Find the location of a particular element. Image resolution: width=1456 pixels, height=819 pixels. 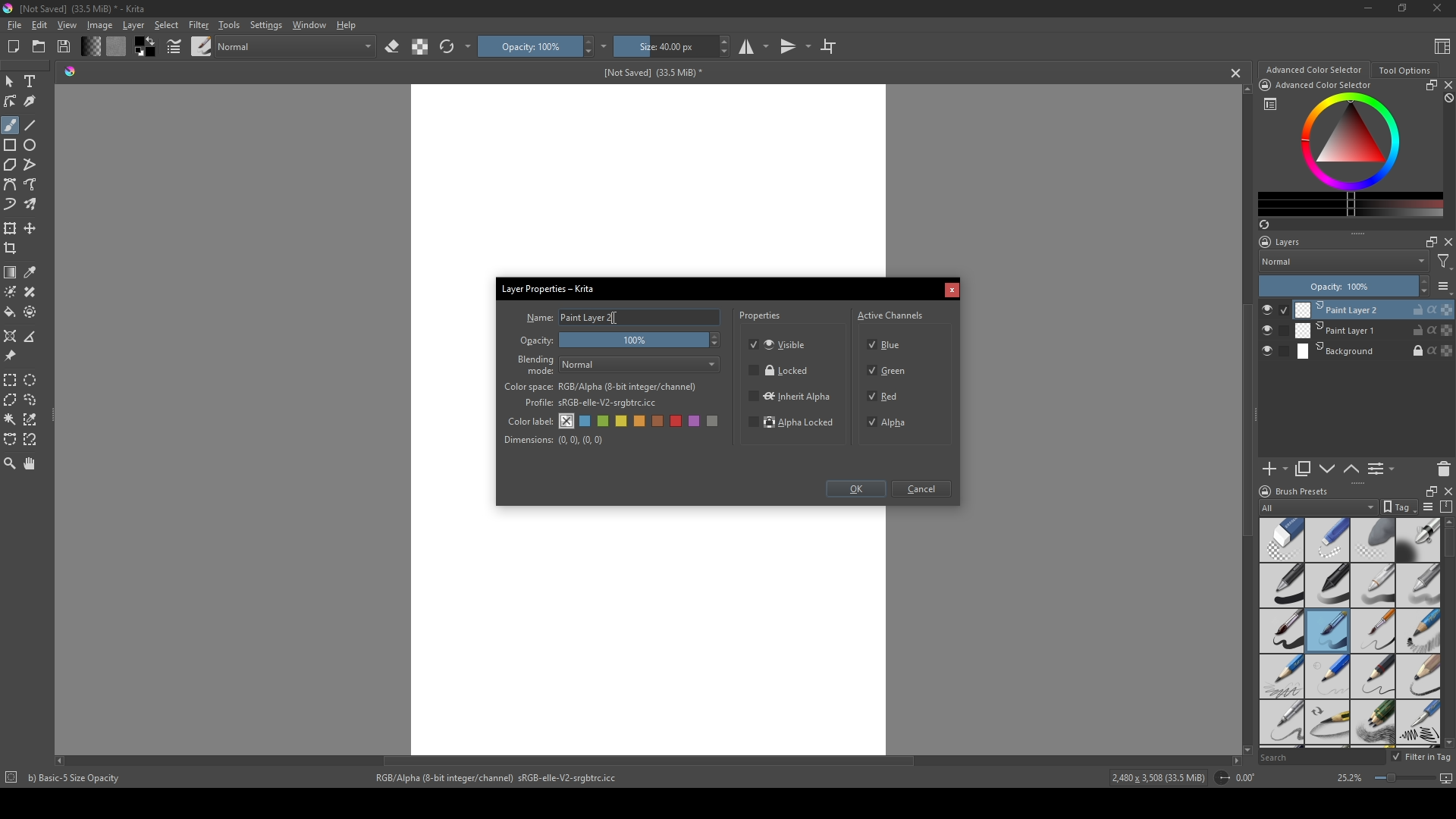

transform is located at coordinates (11, 227).